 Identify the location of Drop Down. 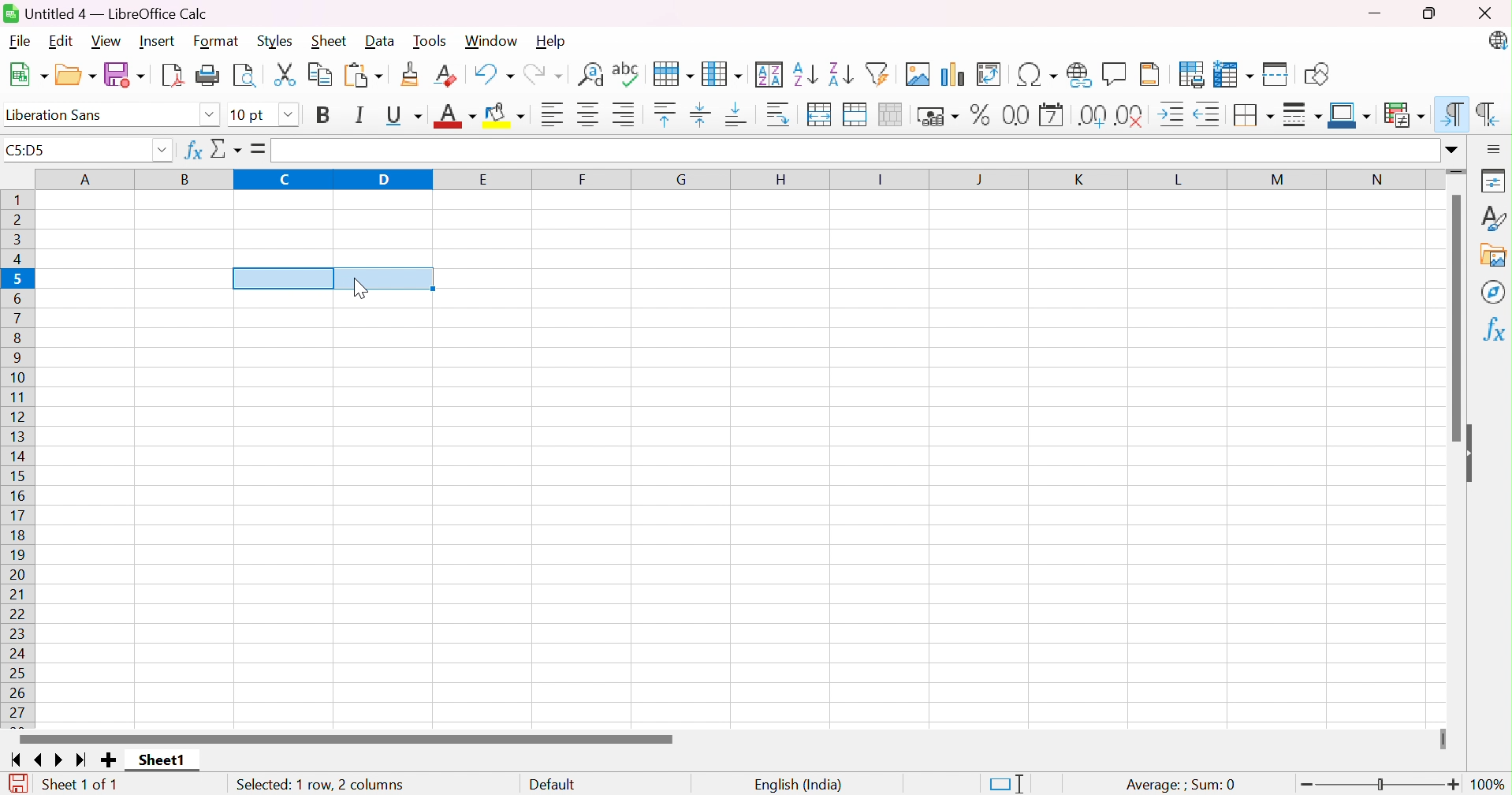
(162, 151).